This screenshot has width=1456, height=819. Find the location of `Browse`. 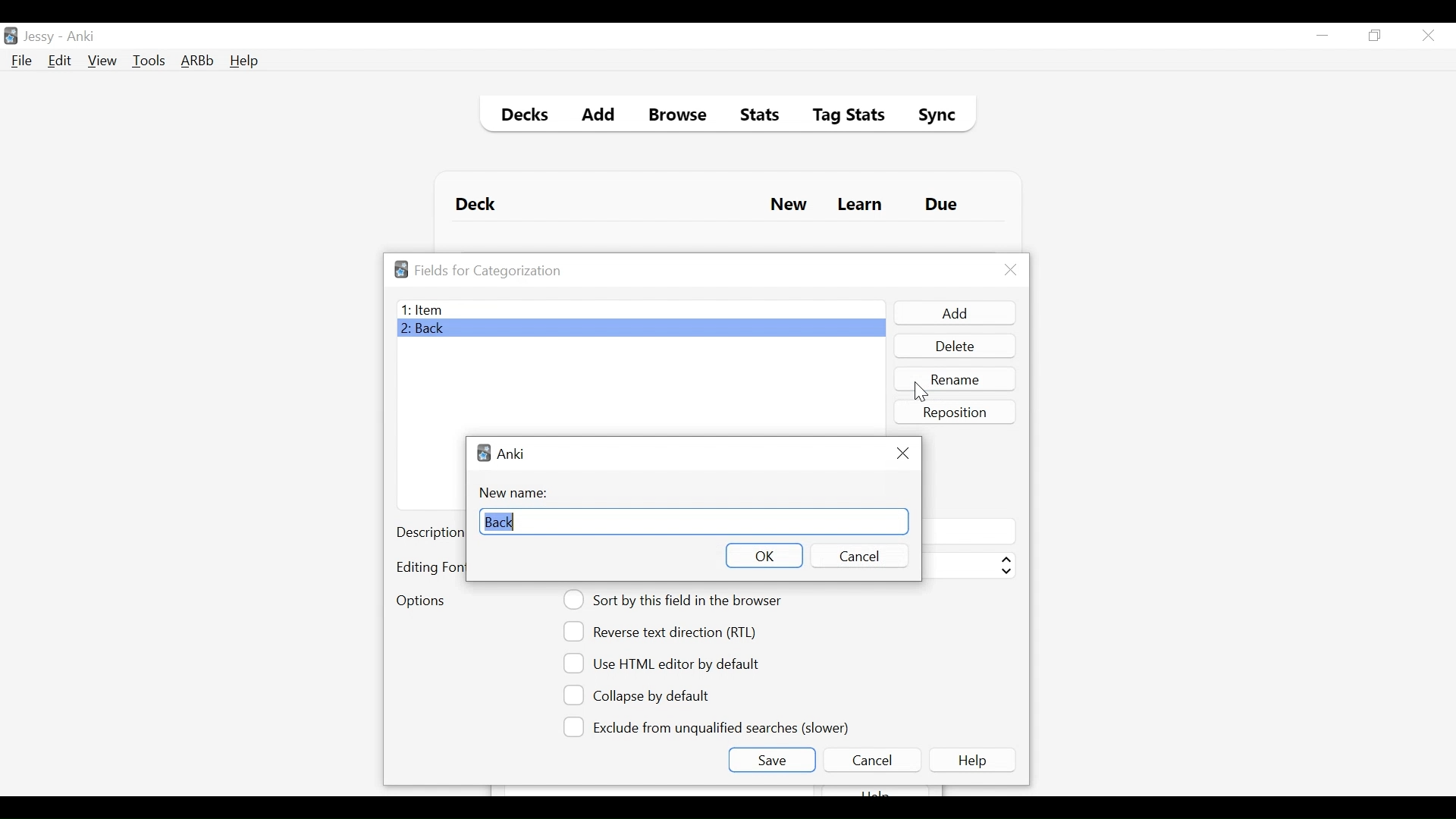

Browse is located at coordinates (680, 117).